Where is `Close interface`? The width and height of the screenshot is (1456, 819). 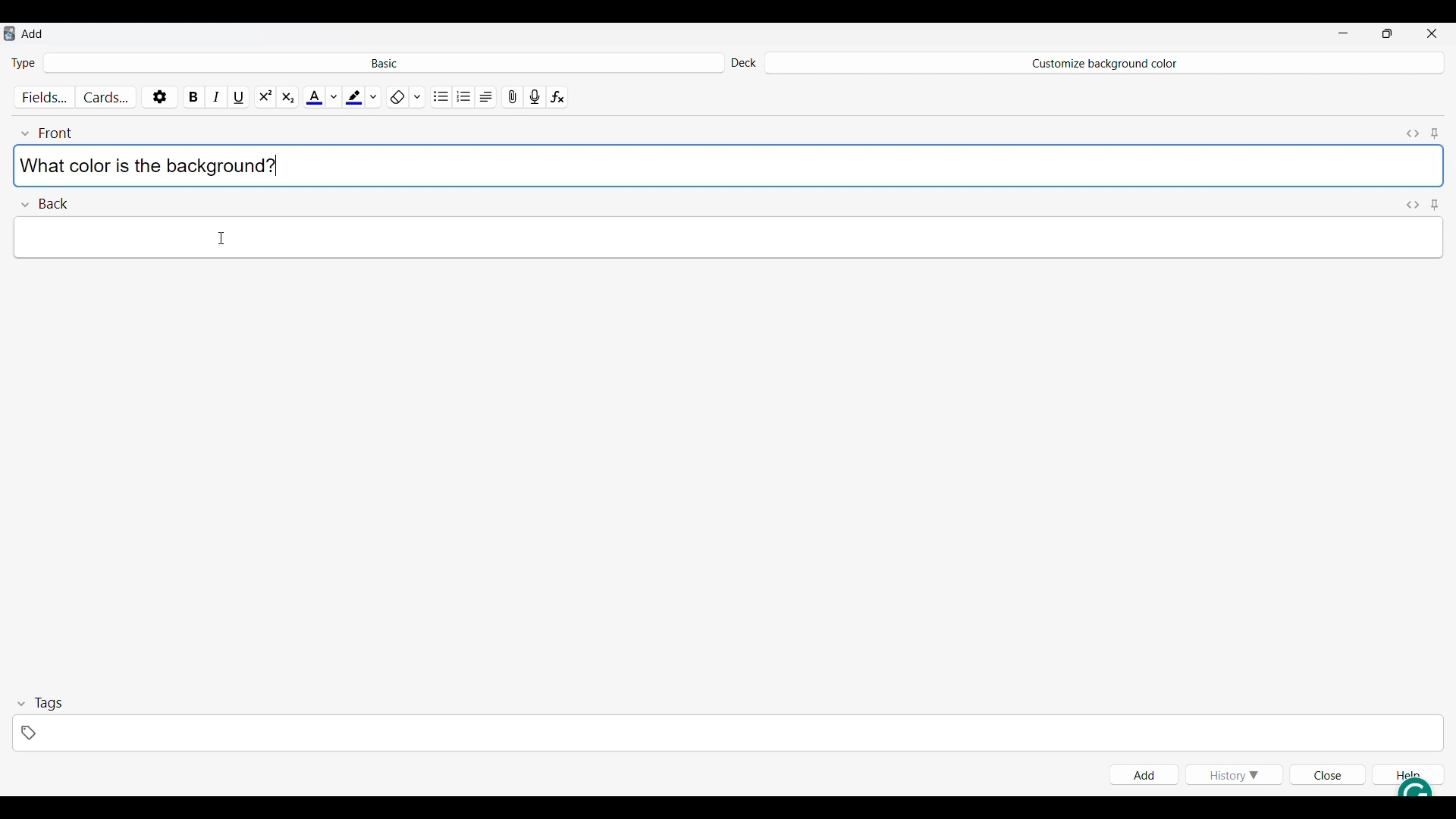 Close interface is located at coordinates (1432, 33).